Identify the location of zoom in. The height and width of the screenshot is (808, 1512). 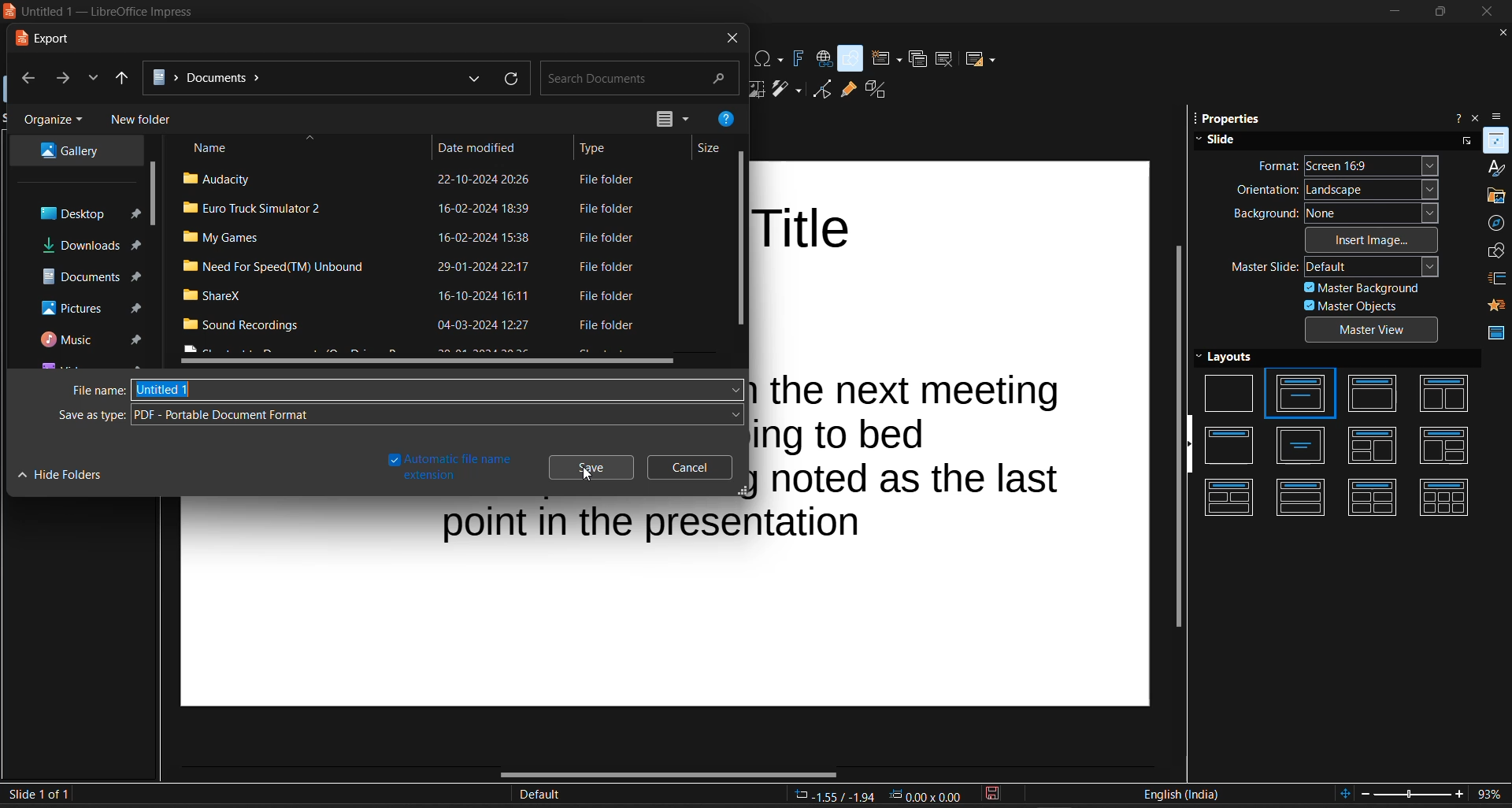
(1462, 795).